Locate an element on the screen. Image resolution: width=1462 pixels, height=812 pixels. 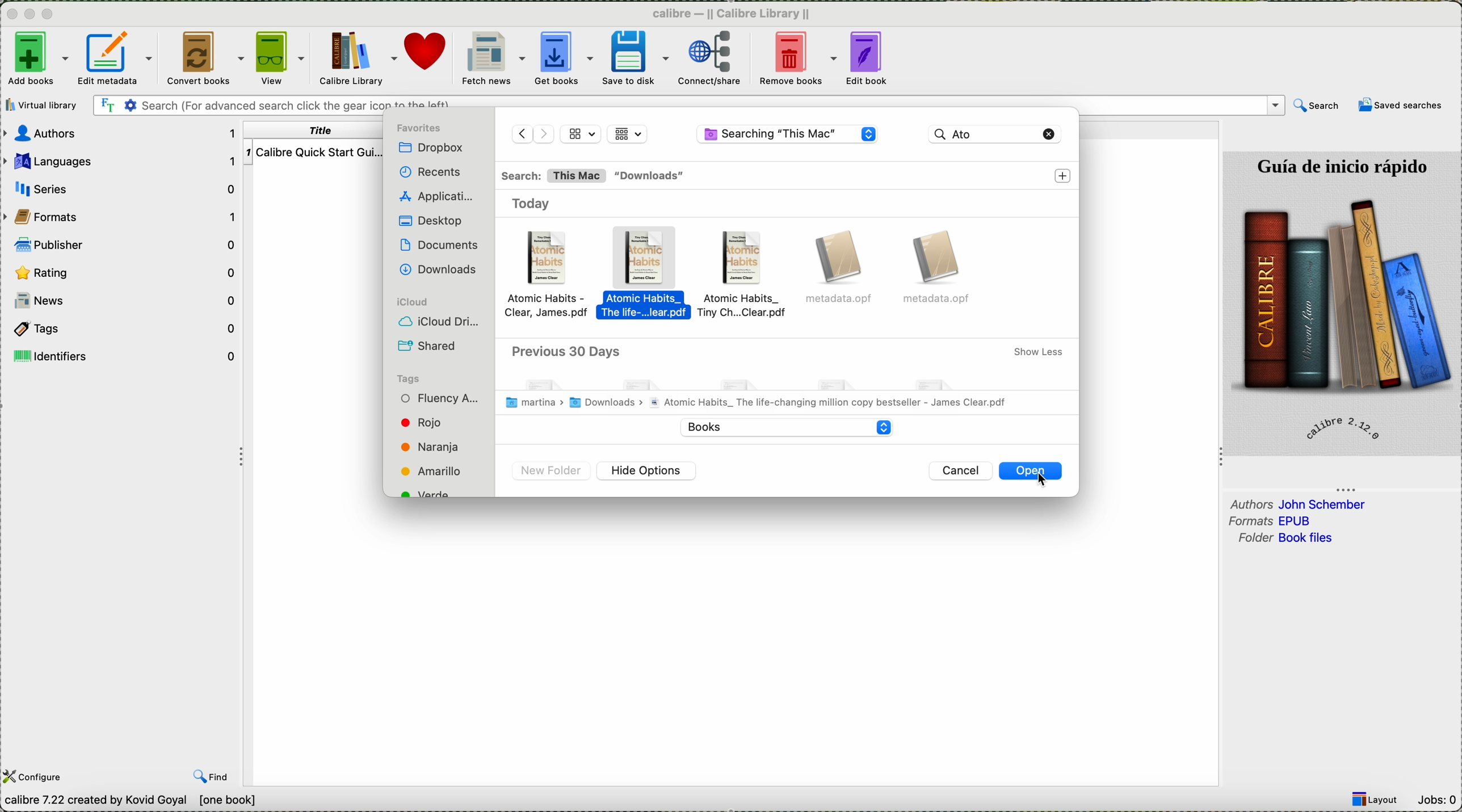
series is located at coordinates (123, 188).